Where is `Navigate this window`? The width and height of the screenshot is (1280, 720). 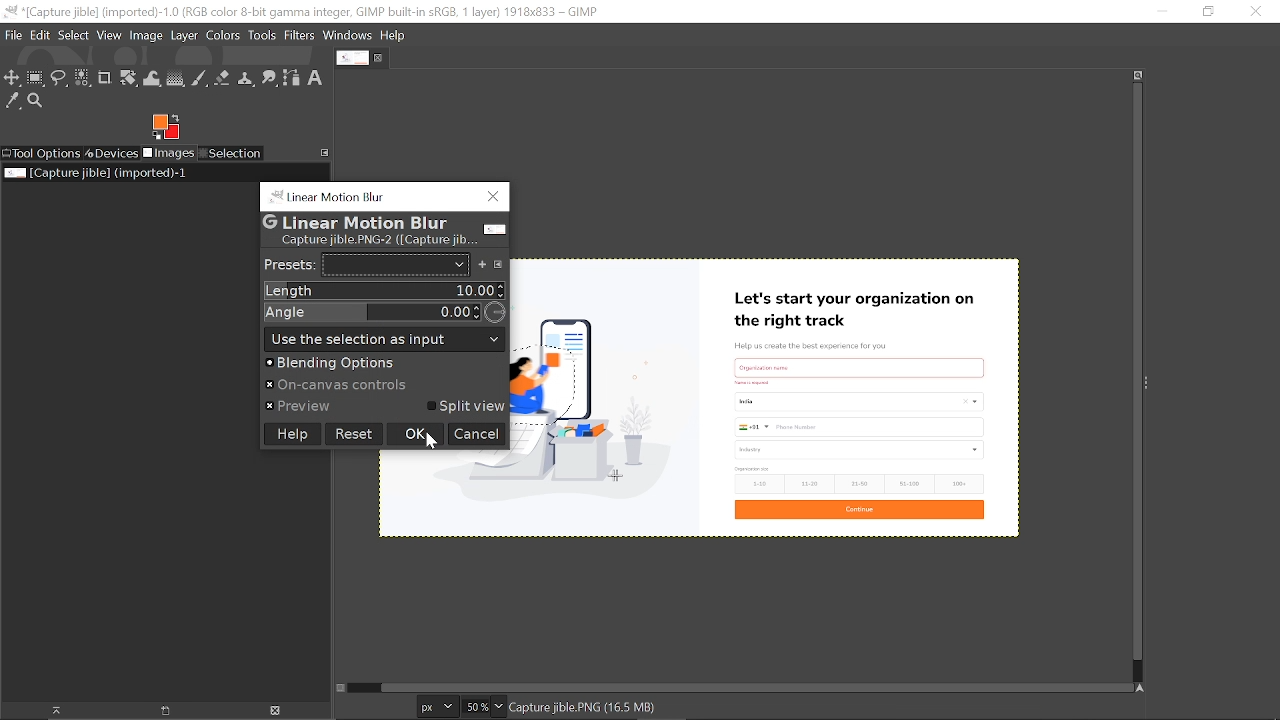 Navigate this window is located at coordinates (1144, 689).